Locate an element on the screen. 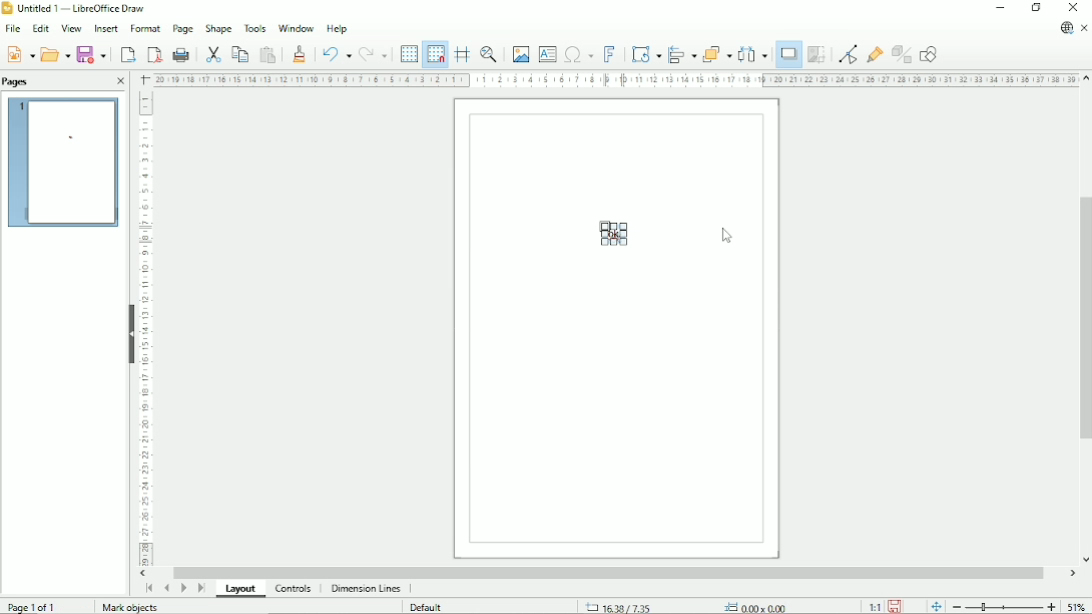 The width and height of the screenshot is (1092, 614). Mark objects is located at coordinates (126, 607).